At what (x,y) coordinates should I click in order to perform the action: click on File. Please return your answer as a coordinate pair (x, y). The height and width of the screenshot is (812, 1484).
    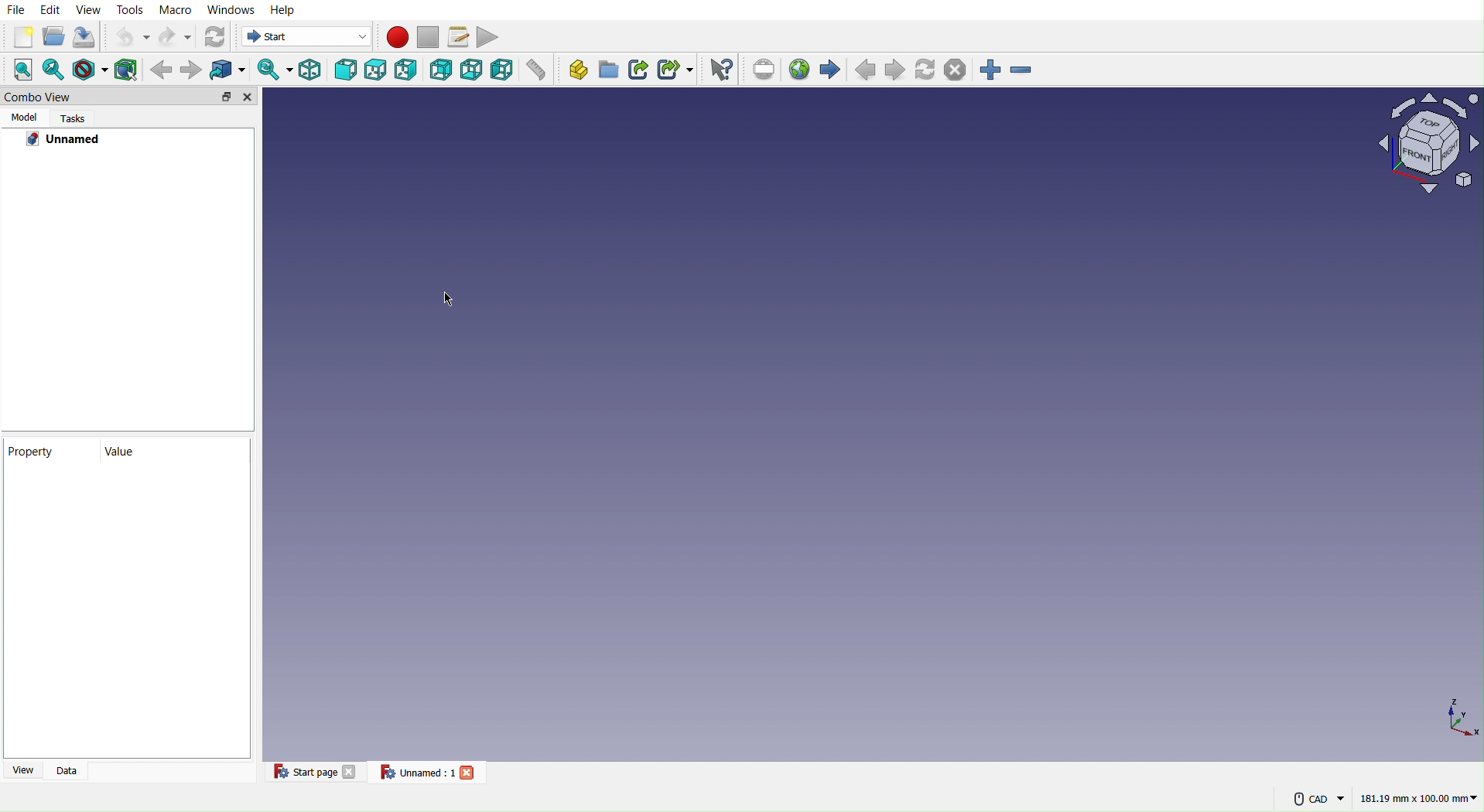
    Looking at the image, I should click on (18, 9).